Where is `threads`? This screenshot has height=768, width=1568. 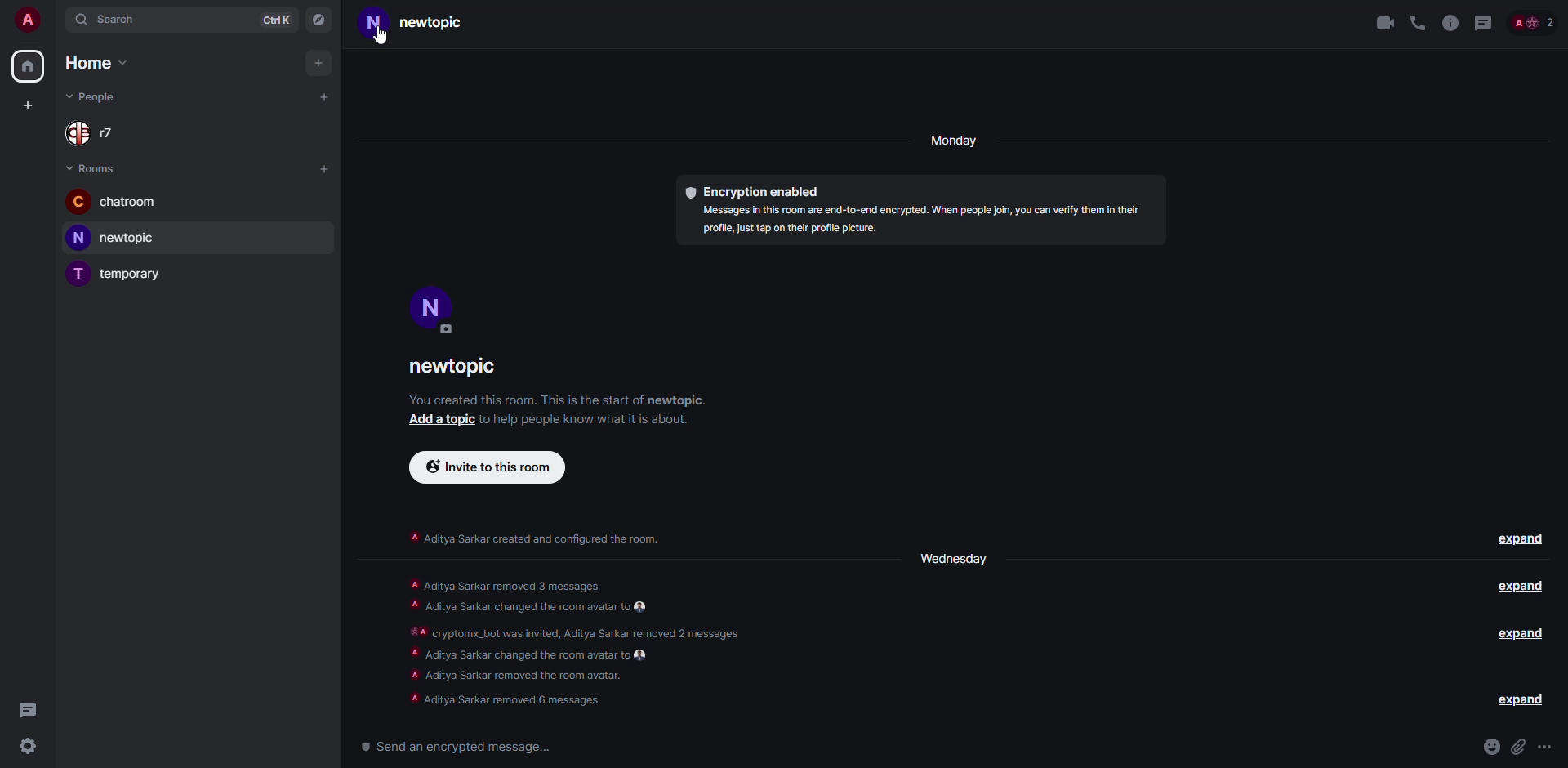
threads is located at coordinates (1483, 22).